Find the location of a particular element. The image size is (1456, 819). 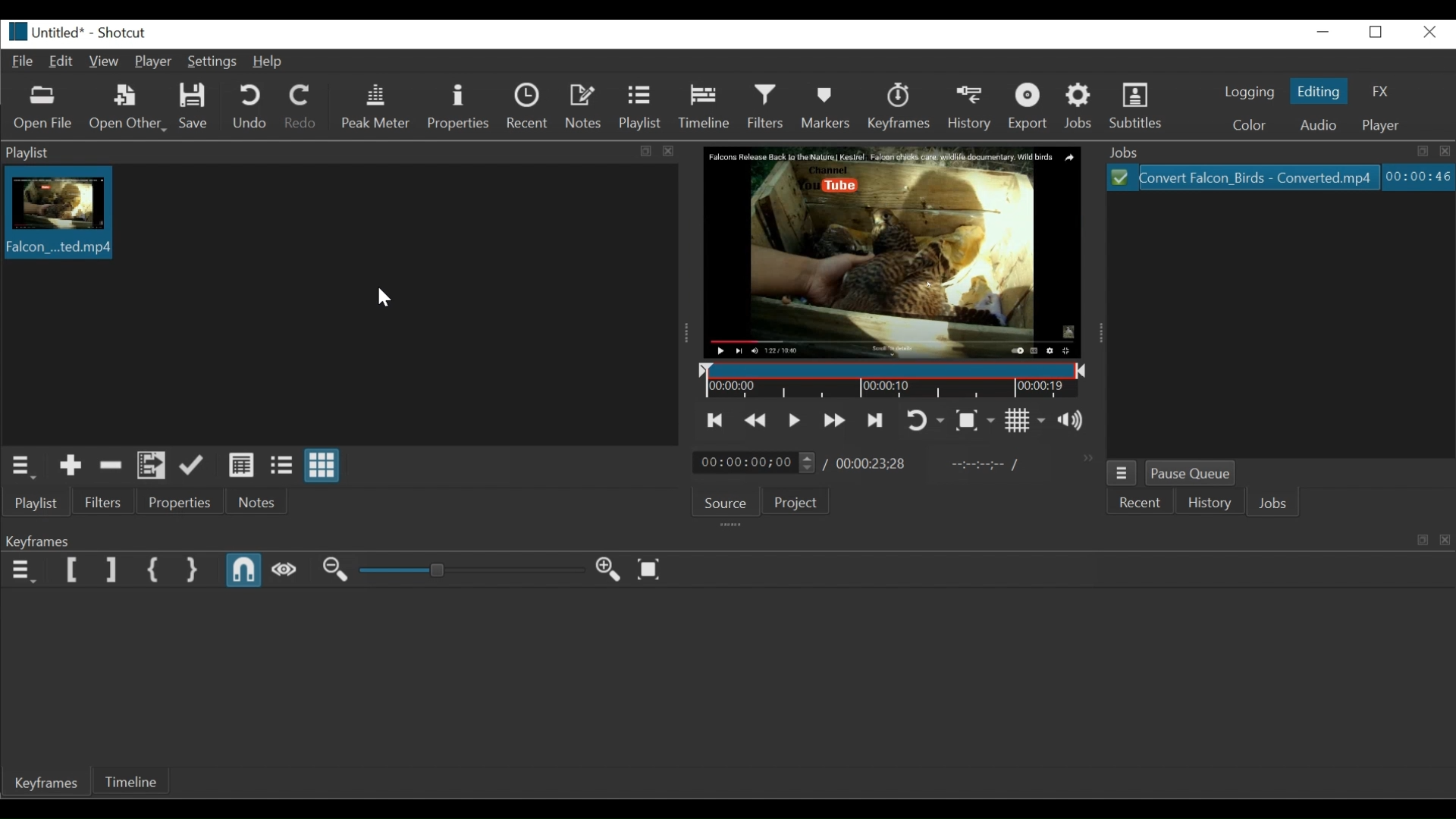

Subtitles is located at coordinates (1138, 106).